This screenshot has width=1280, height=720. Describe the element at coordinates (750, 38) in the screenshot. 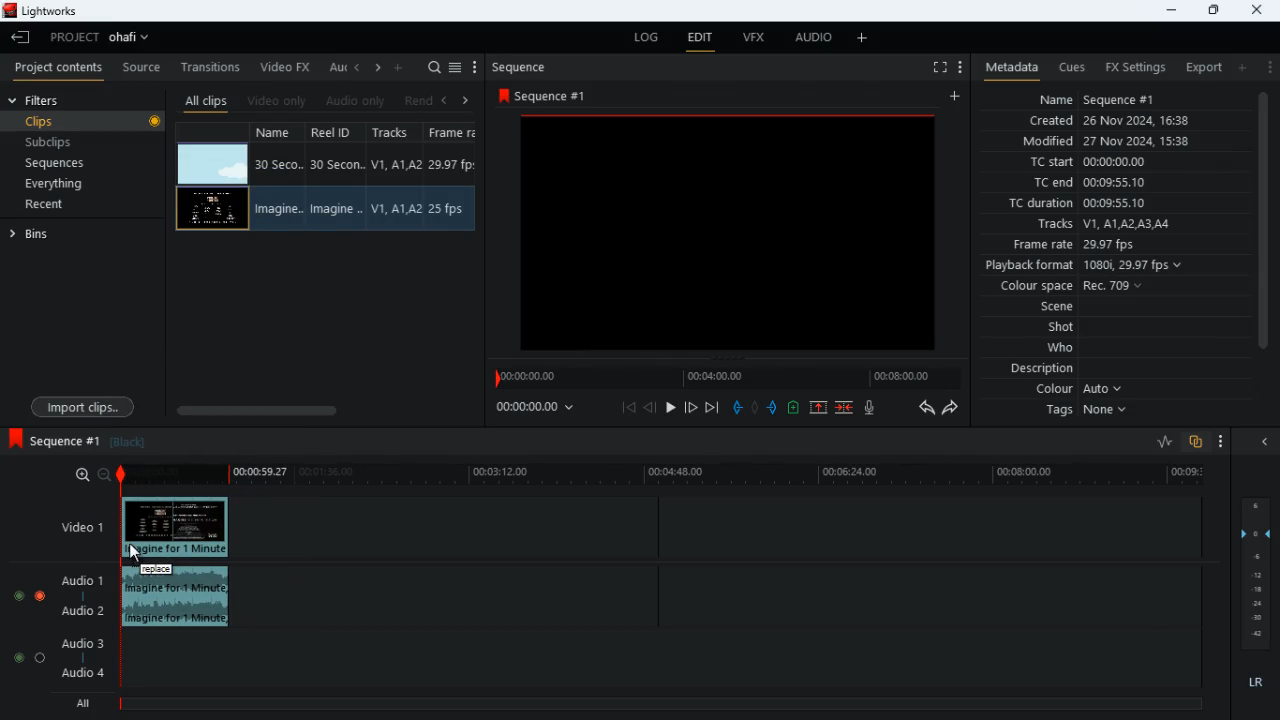

I see `vfx` at that location.